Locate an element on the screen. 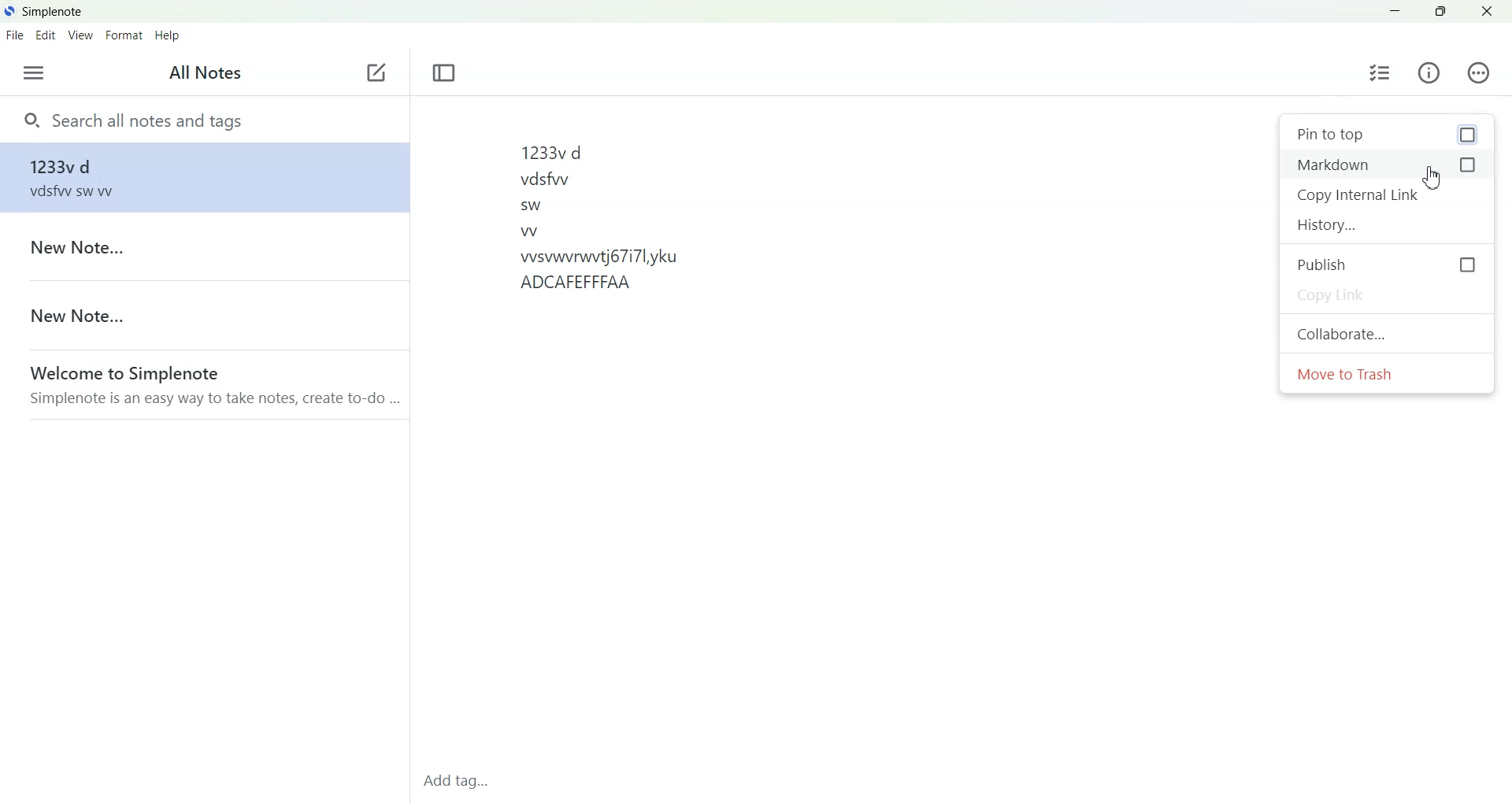  Help is located at coordinates (168, 35).